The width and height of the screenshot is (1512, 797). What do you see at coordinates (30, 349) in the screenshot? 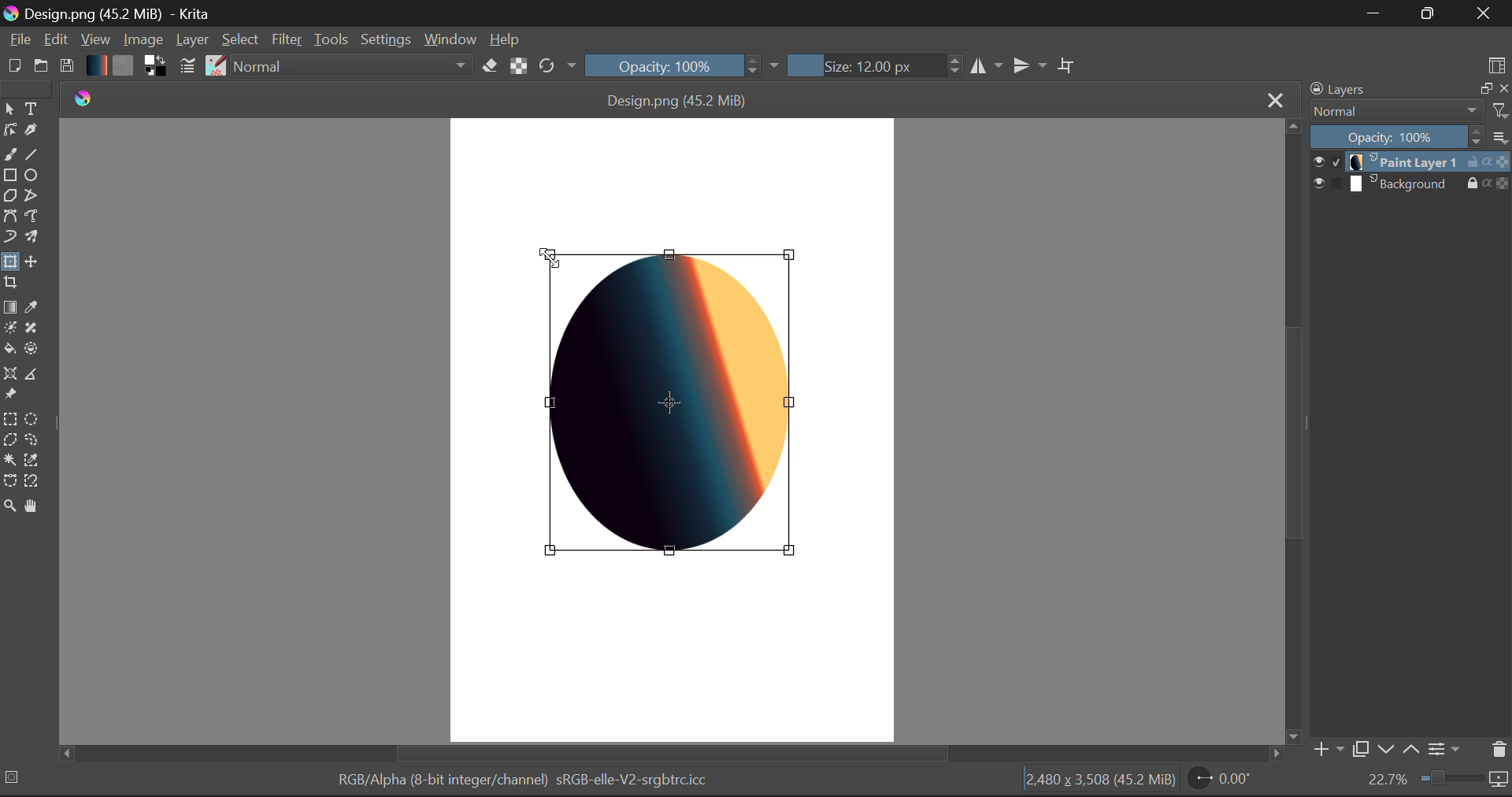
I see `Enclose and Fill` at bounding box center [30, 349].